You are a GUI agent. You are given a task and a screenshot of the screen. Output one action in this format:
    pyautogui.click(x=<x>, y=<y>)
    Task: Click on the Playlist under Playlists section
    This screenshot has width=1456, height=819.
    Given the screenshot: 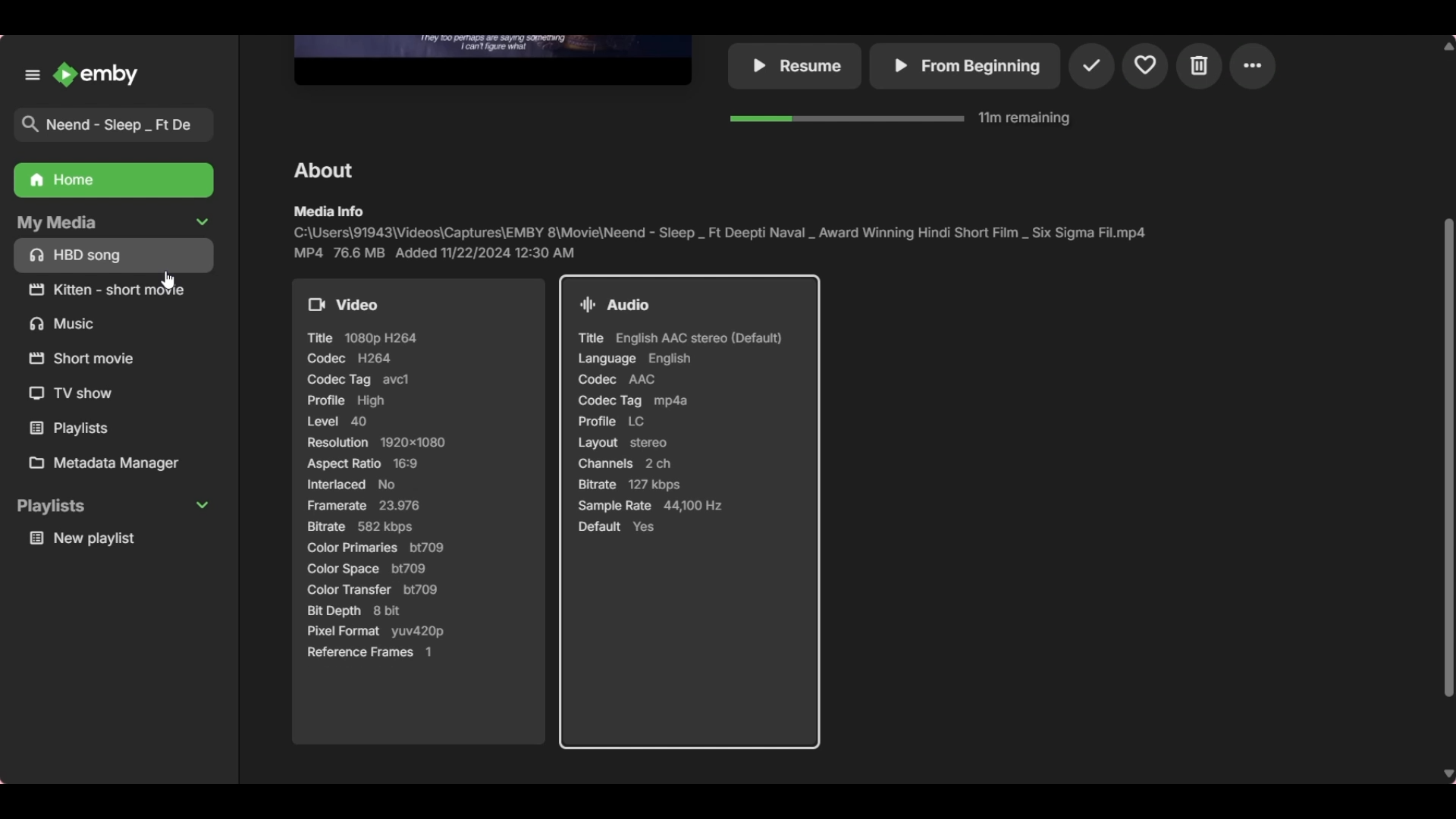 What is the action you would take?
    pyautogui.click(x=115, y=538)
    